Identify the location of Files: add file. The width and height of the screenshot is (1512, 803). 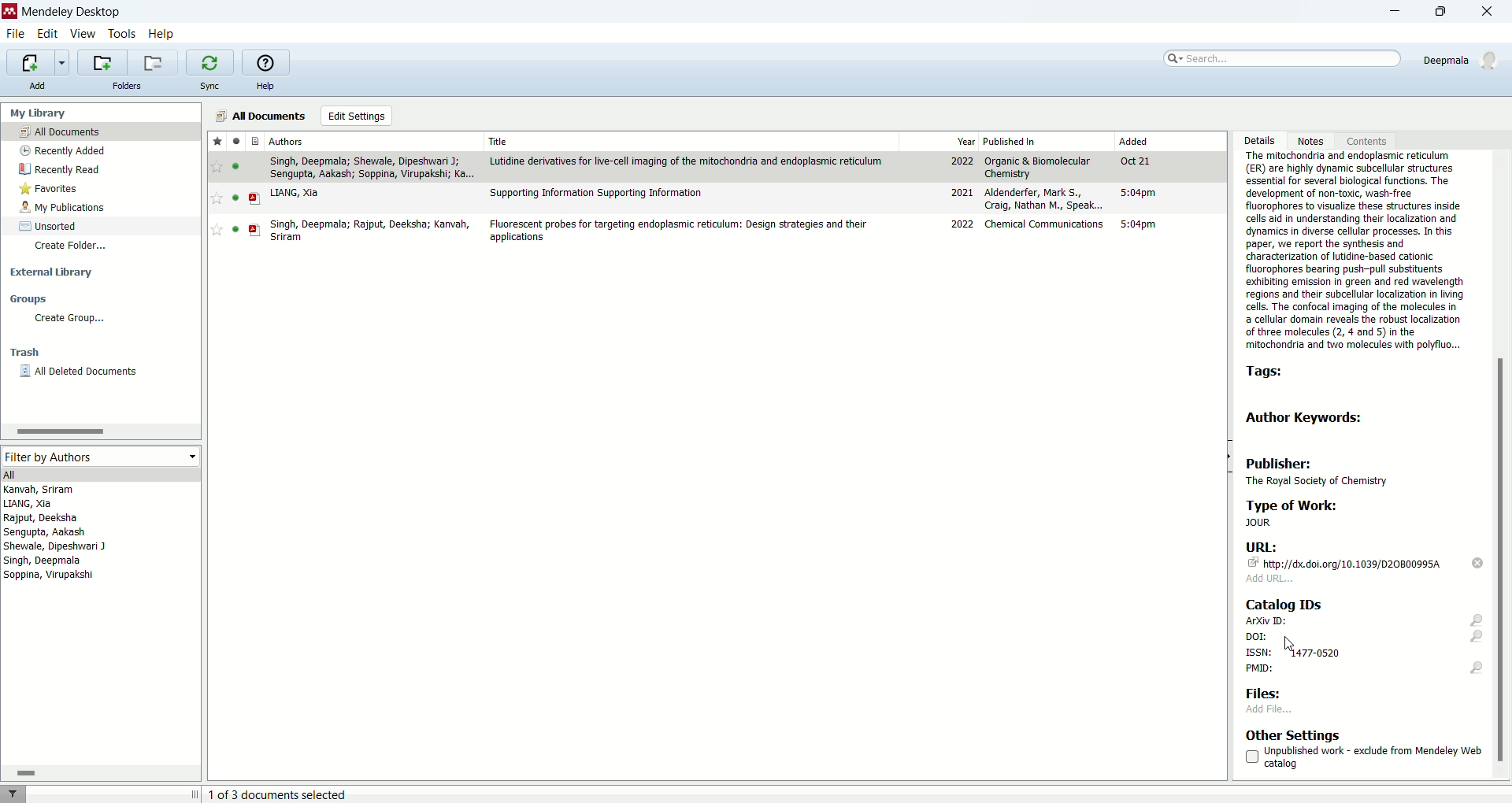
(1273, 700).